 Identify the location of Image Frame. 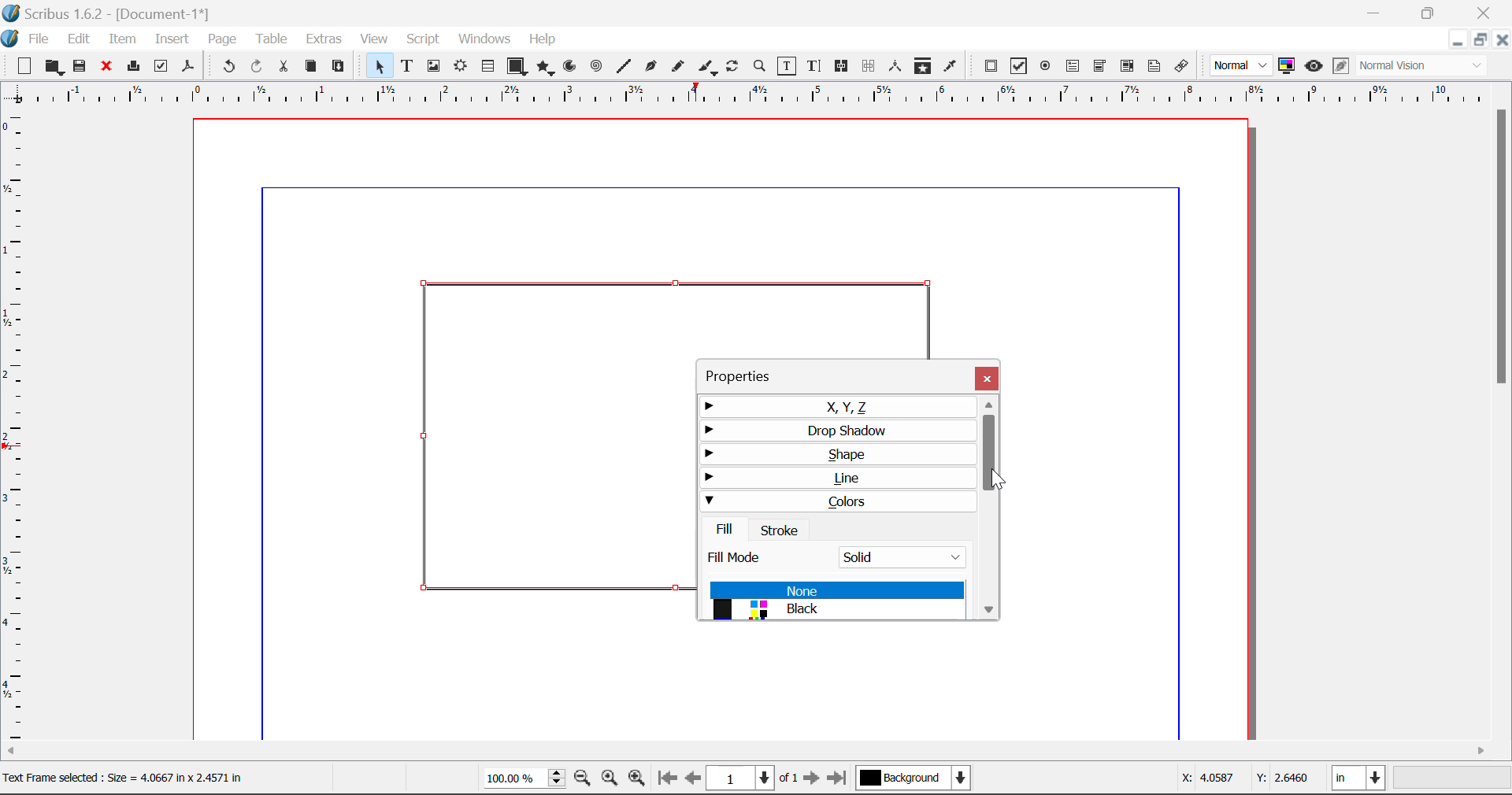
(433, 66).